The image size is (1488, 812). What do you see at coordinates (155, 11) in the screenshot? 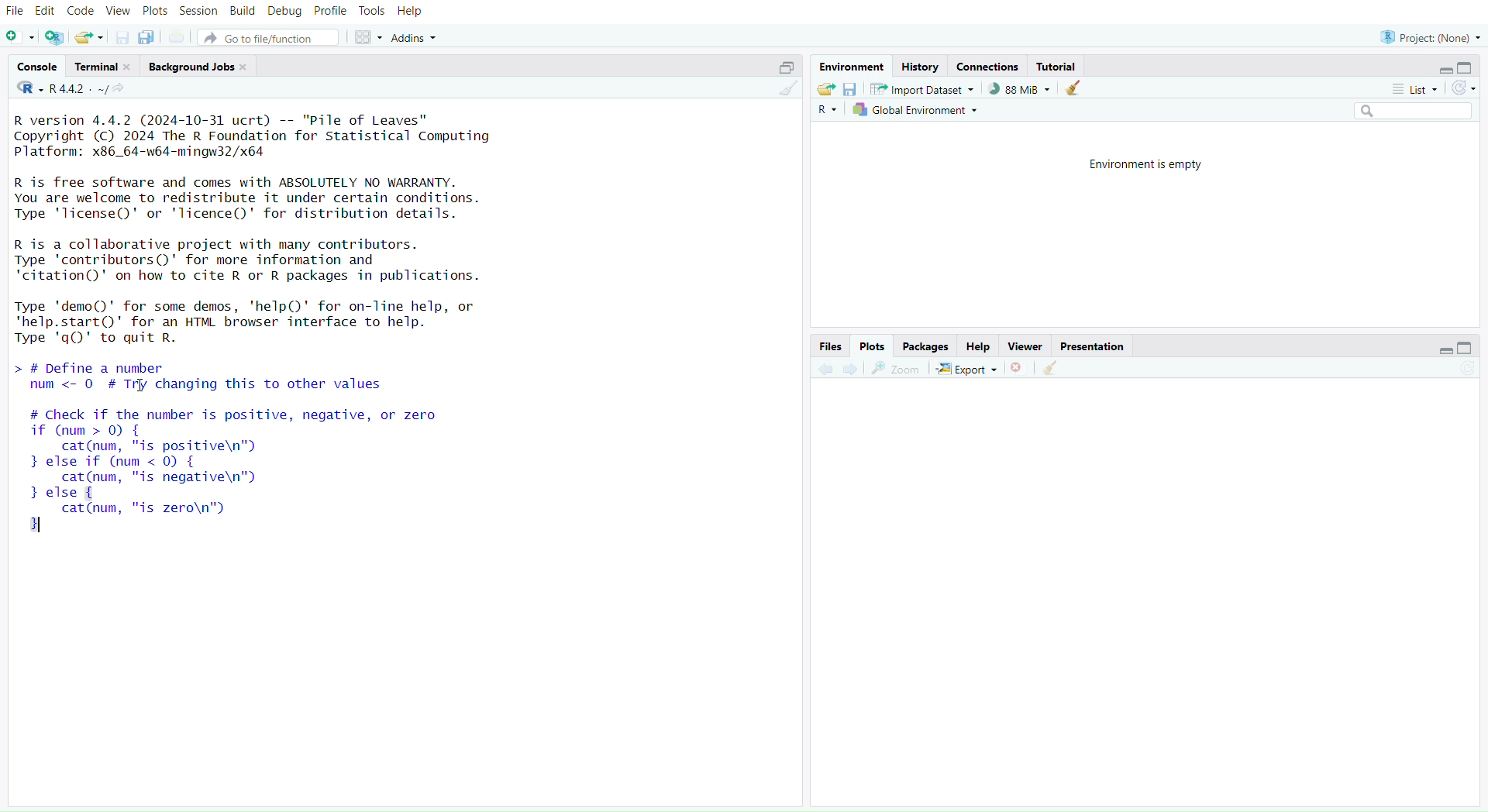
I see `plots` at bounding box center [155, 11].